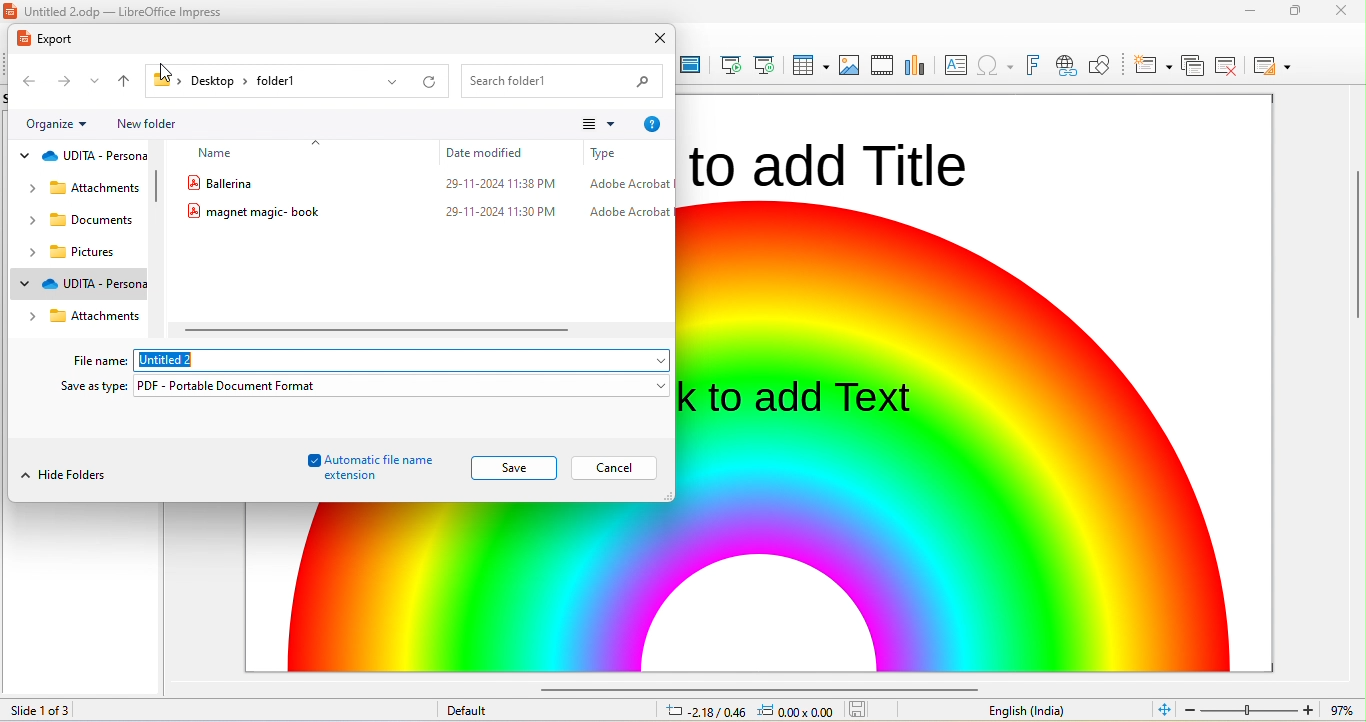 This screenshot has height=722, width=1366. Describe the element at coordinates (65, 81) in the screenshot. I see `` at that location.